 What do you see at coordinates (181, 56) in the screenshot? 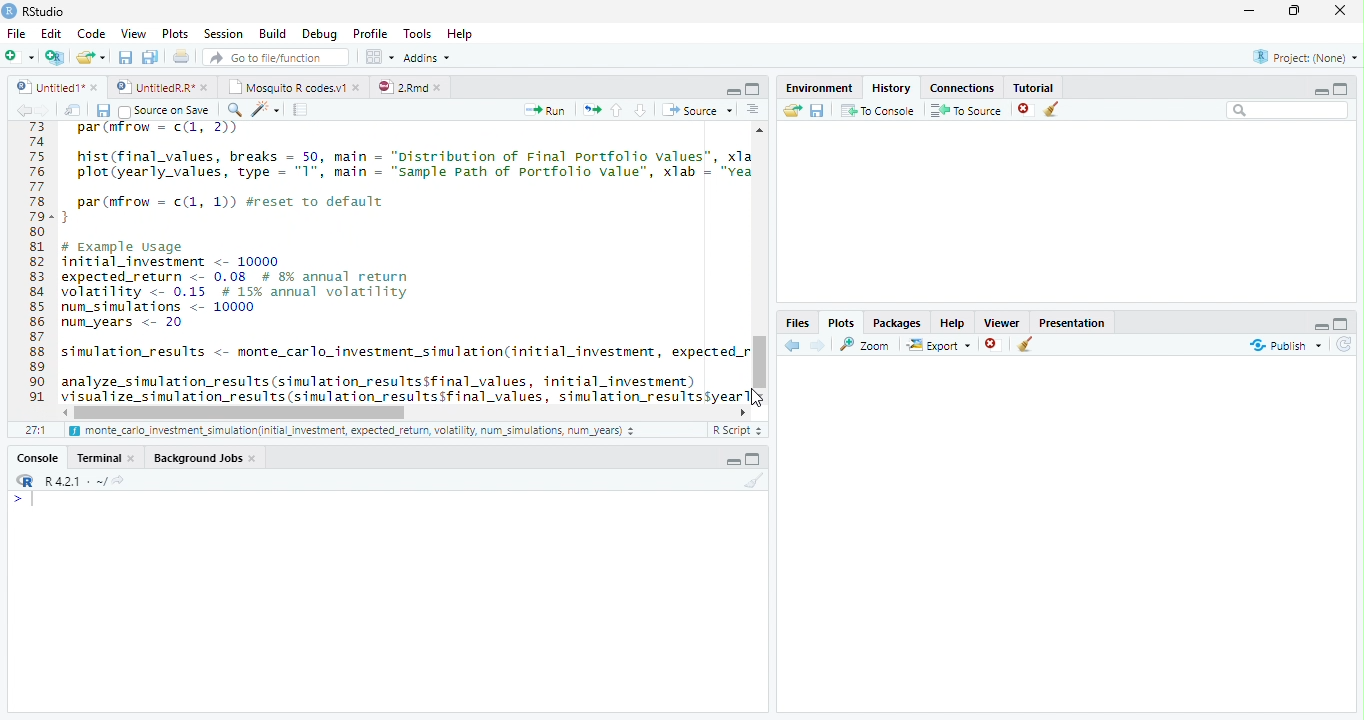
I see `Print` at bounding box center [181, 56].